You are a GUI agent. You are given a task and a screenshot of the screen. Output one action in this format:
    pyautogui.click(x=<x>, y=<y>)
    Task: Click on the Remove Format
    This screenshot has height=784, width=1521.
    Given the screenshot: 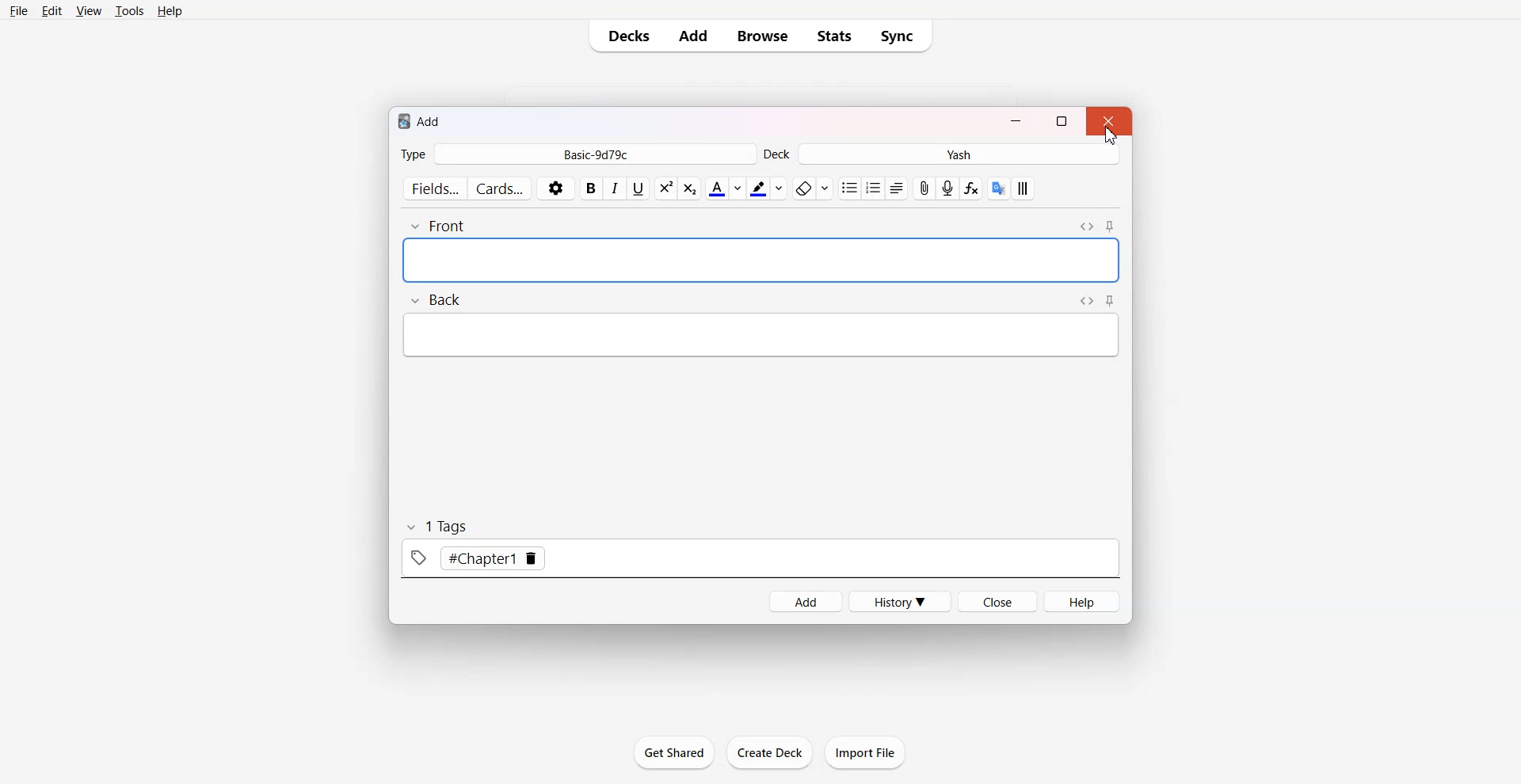 What is the action you would take?
    pyautogui.click(x=811, y=188)
    